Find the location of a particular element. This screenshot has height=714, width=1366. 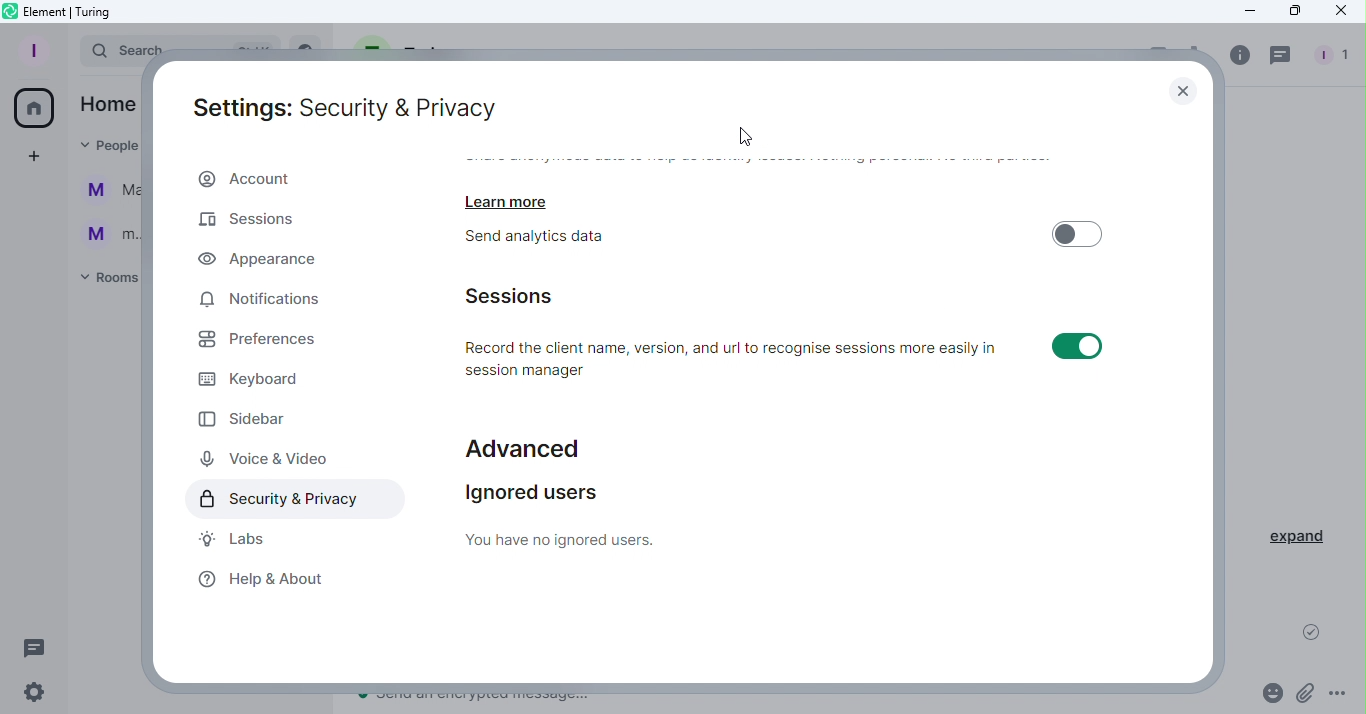

People is located at coordinates (1337, 52).